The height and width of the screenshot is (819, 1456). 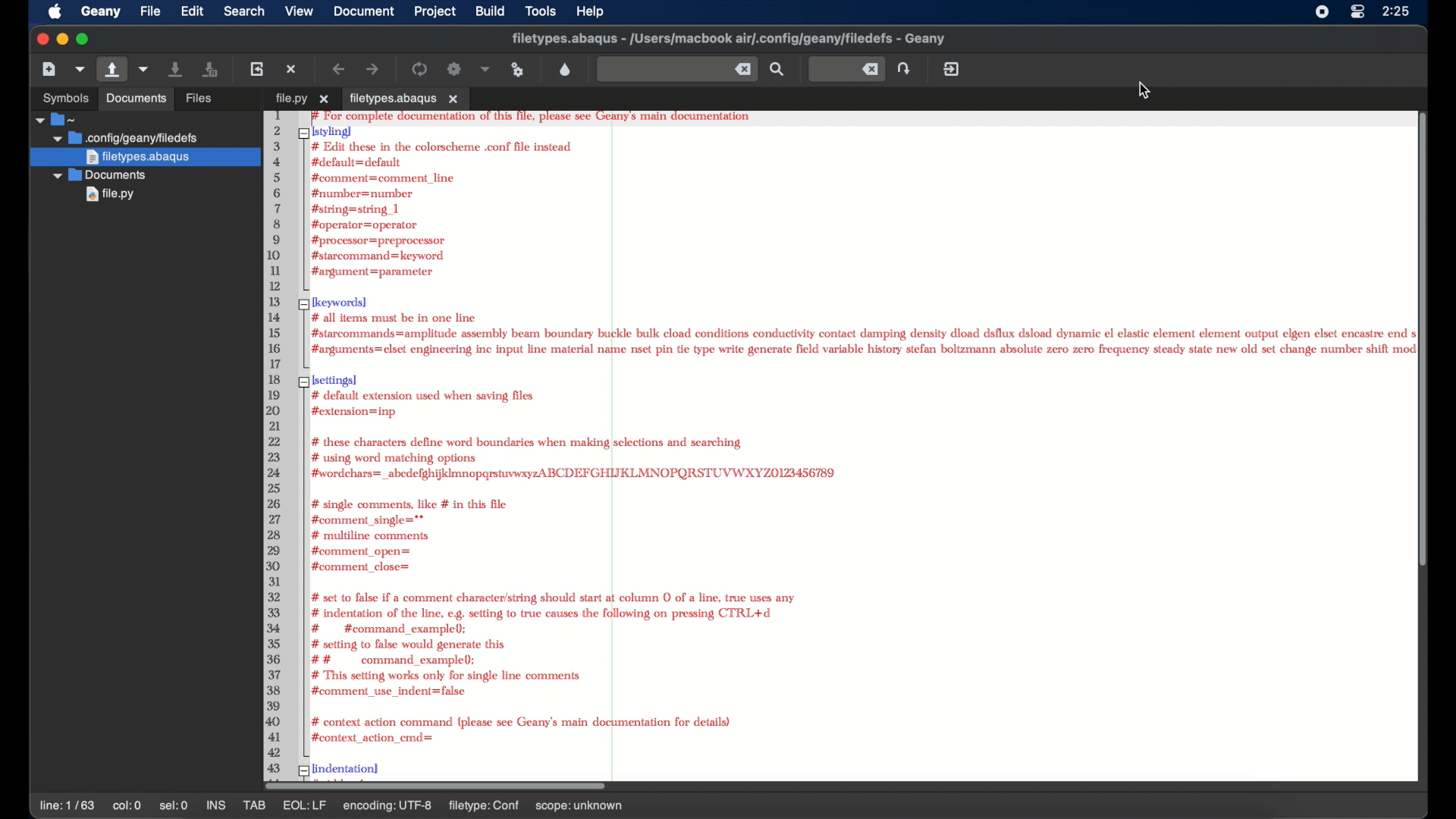 What do you see at coordinates (778, 70) in the screenshot?
I see `search` at bounding box center [778, 70].